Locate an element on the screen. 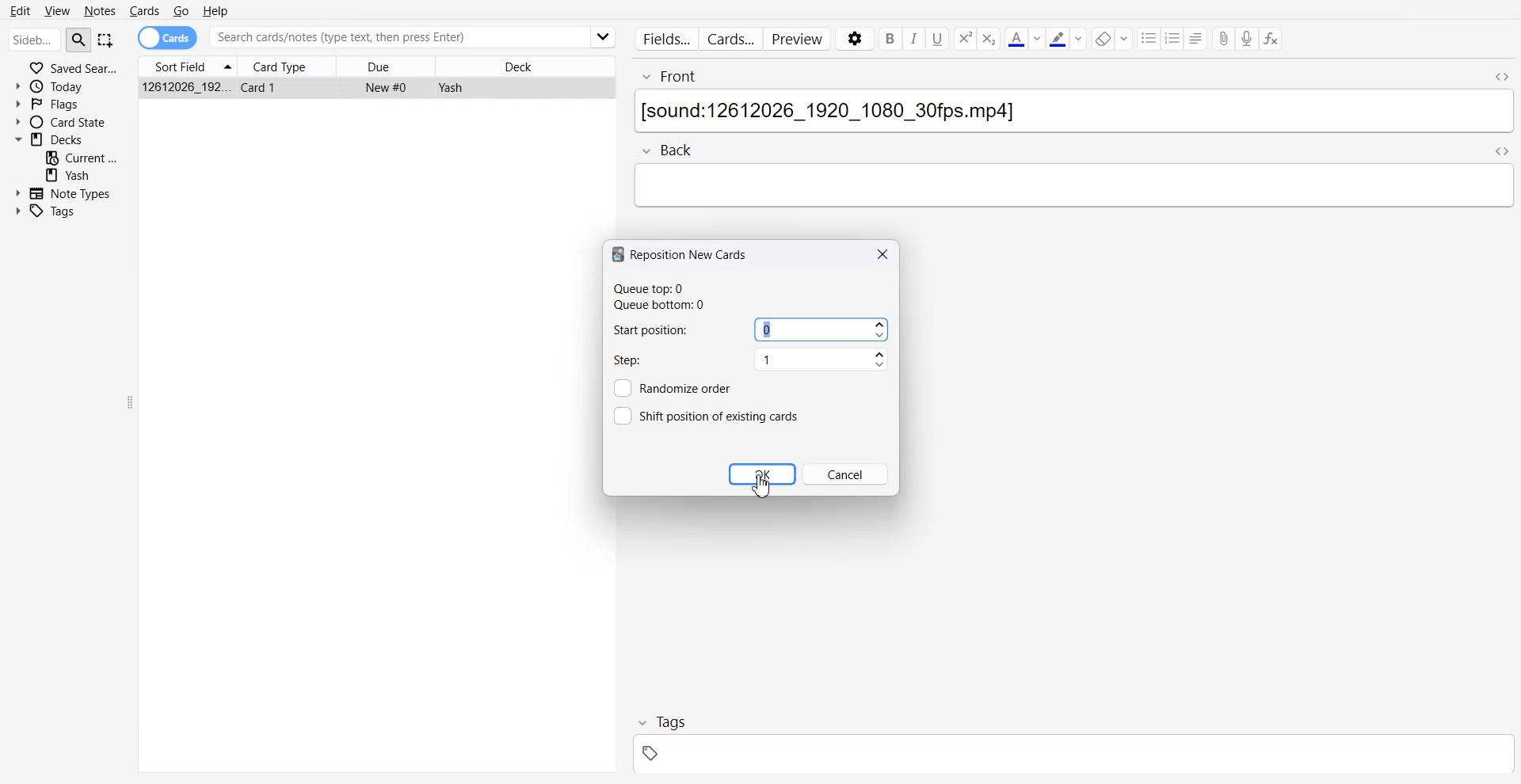  Card Type is located at coordinates (290, 65).